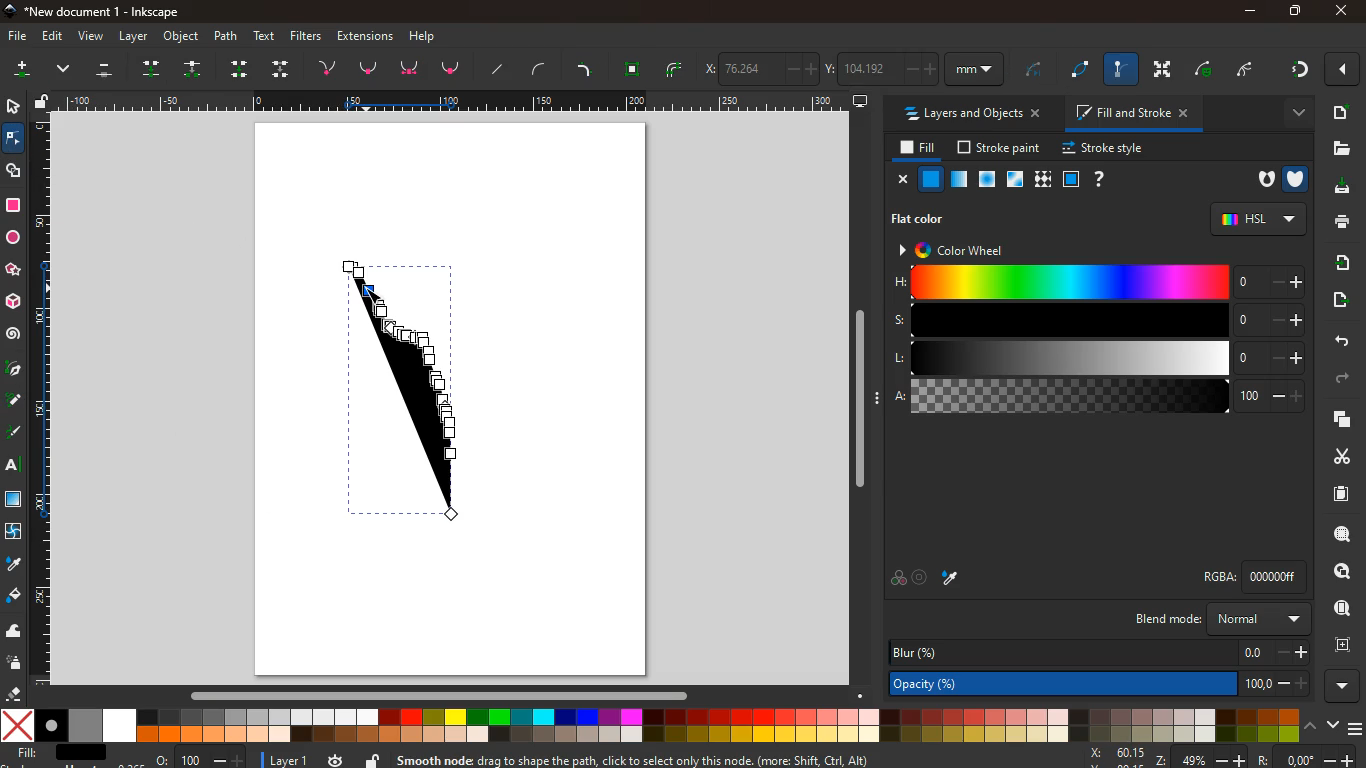 The image size is (1366, 768). I want to click on object, so click(182, 37).